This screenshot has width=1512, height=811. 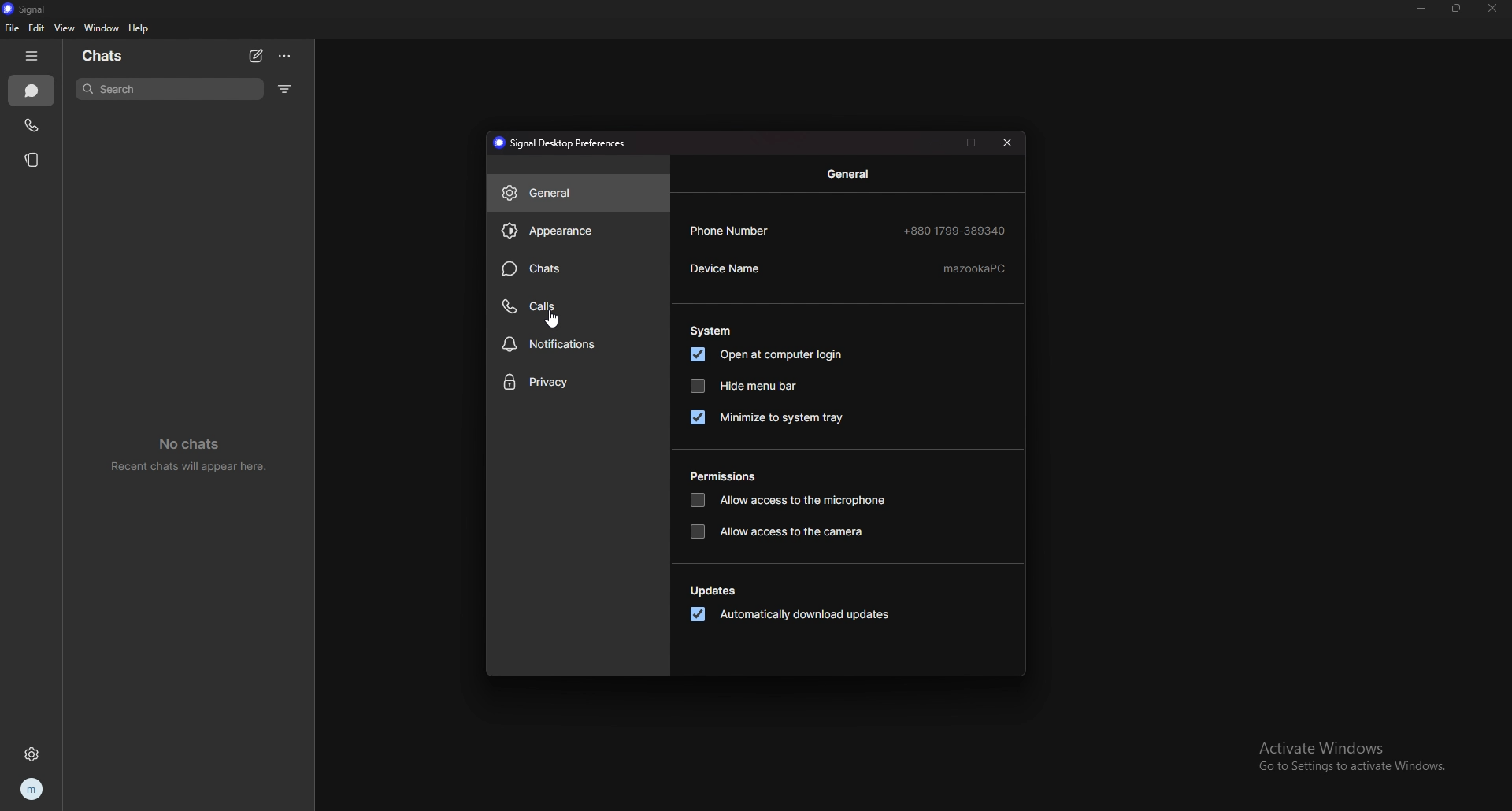 I want to click on hide menu bar, so click(x=747, y=386).